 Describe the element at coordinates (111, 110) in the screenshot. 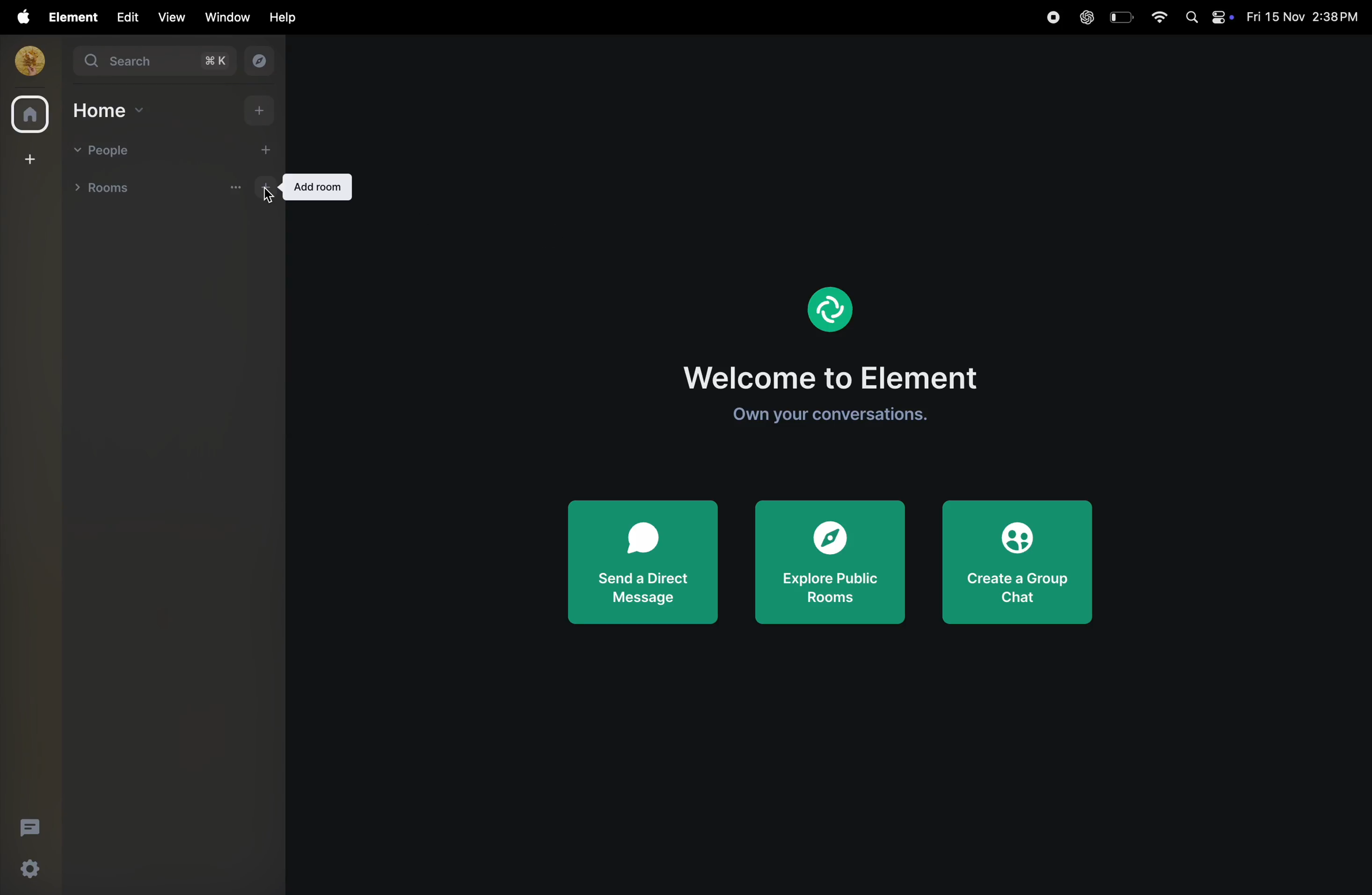

I see `home` at that location.